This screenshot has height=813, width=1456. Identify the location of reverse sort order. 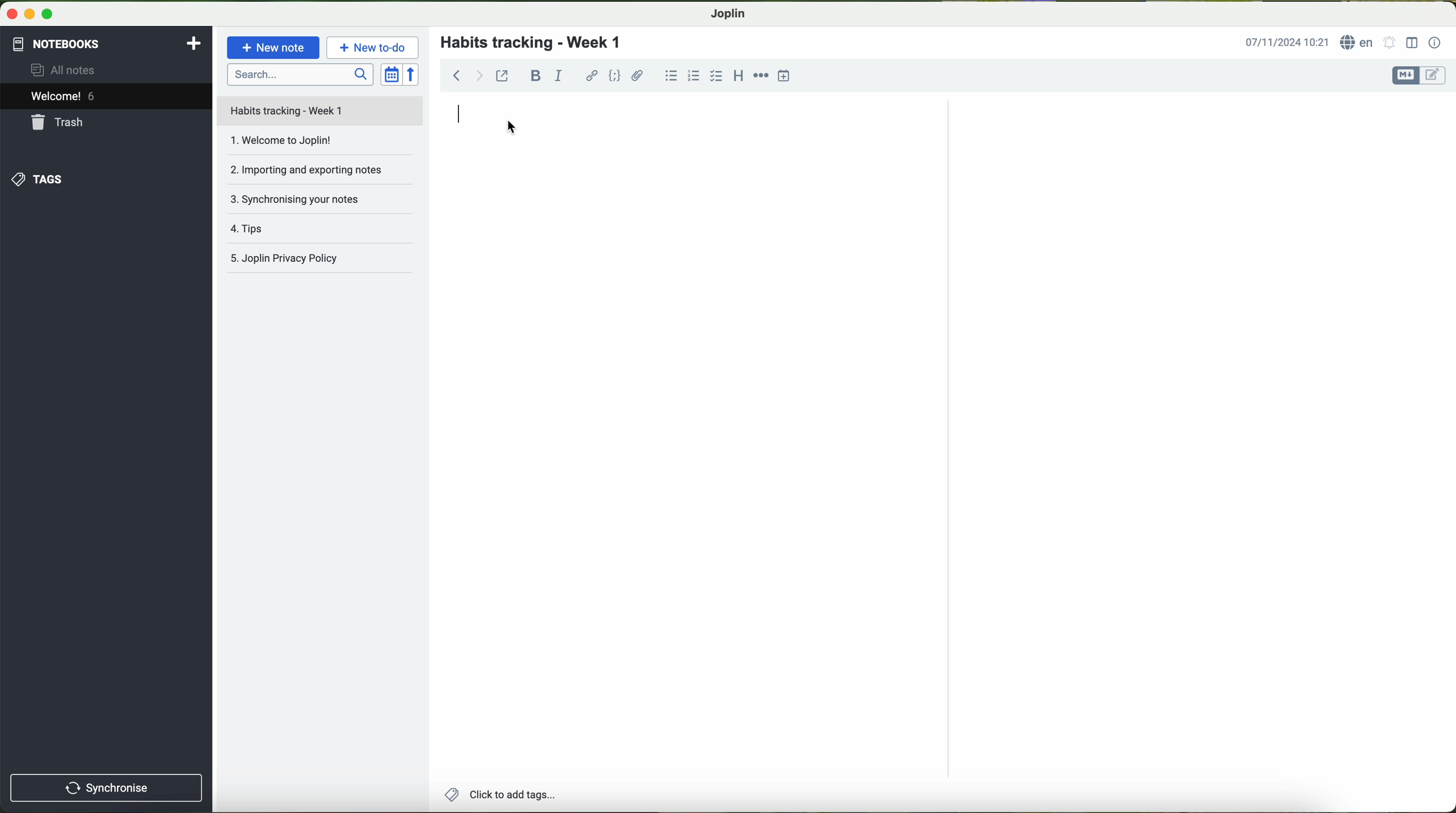
(412, 74).